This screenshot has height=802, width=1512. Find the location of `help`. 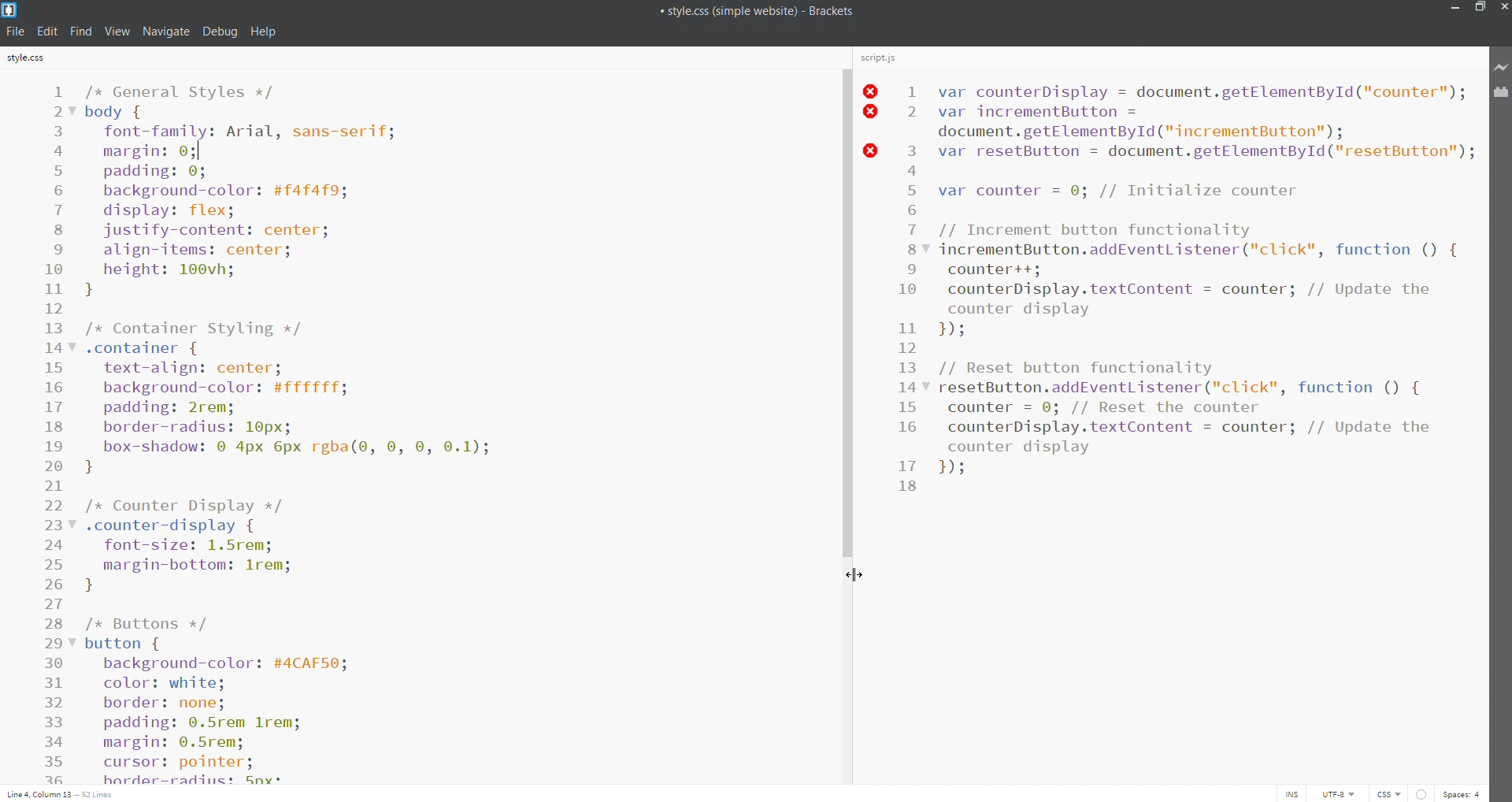

help is located at coordinates (269, 32).